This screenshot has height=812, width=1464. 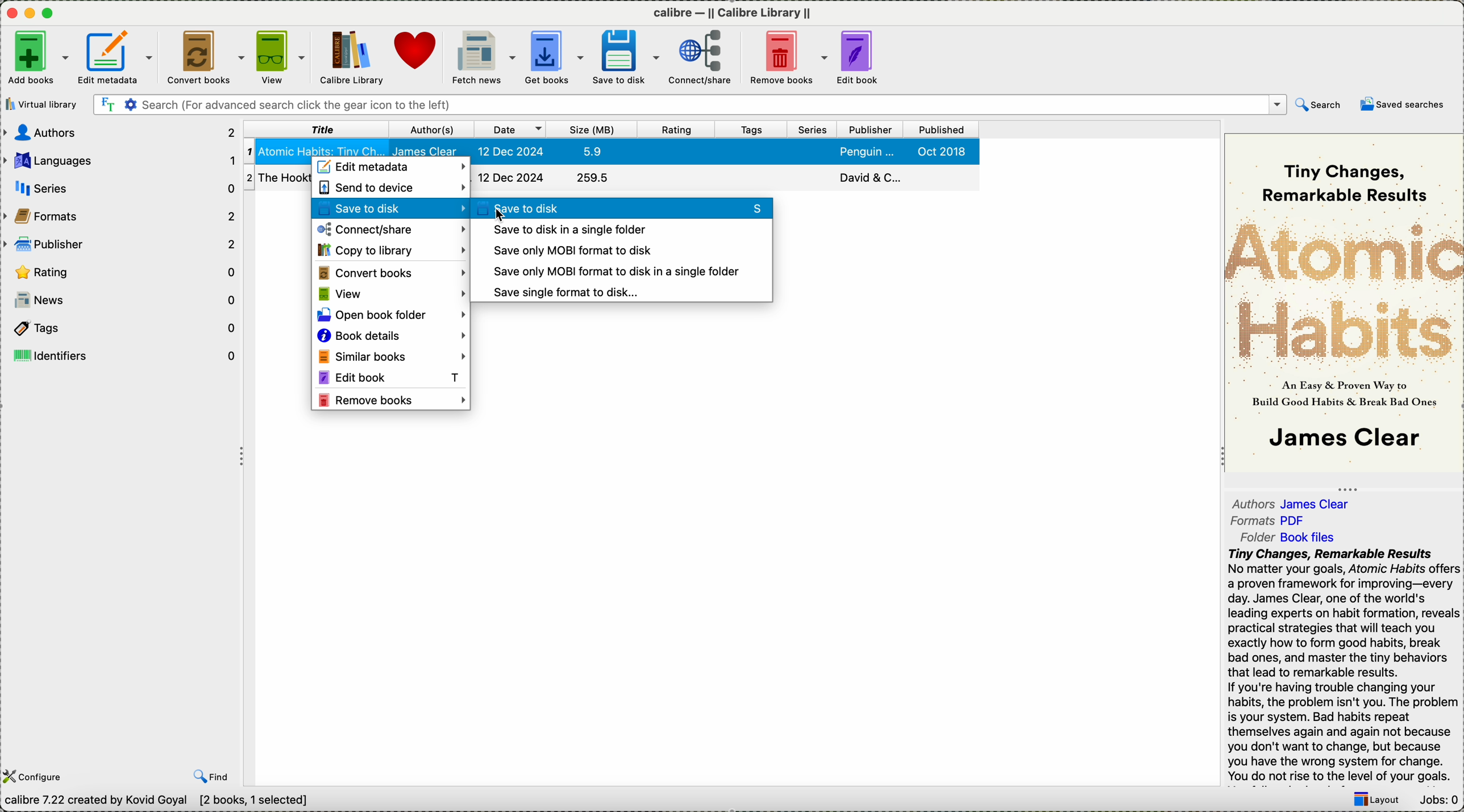 What do you see at coordinates (390, 210) in the screenshot?
I see `save to disk` at bounding box center [390, 210].